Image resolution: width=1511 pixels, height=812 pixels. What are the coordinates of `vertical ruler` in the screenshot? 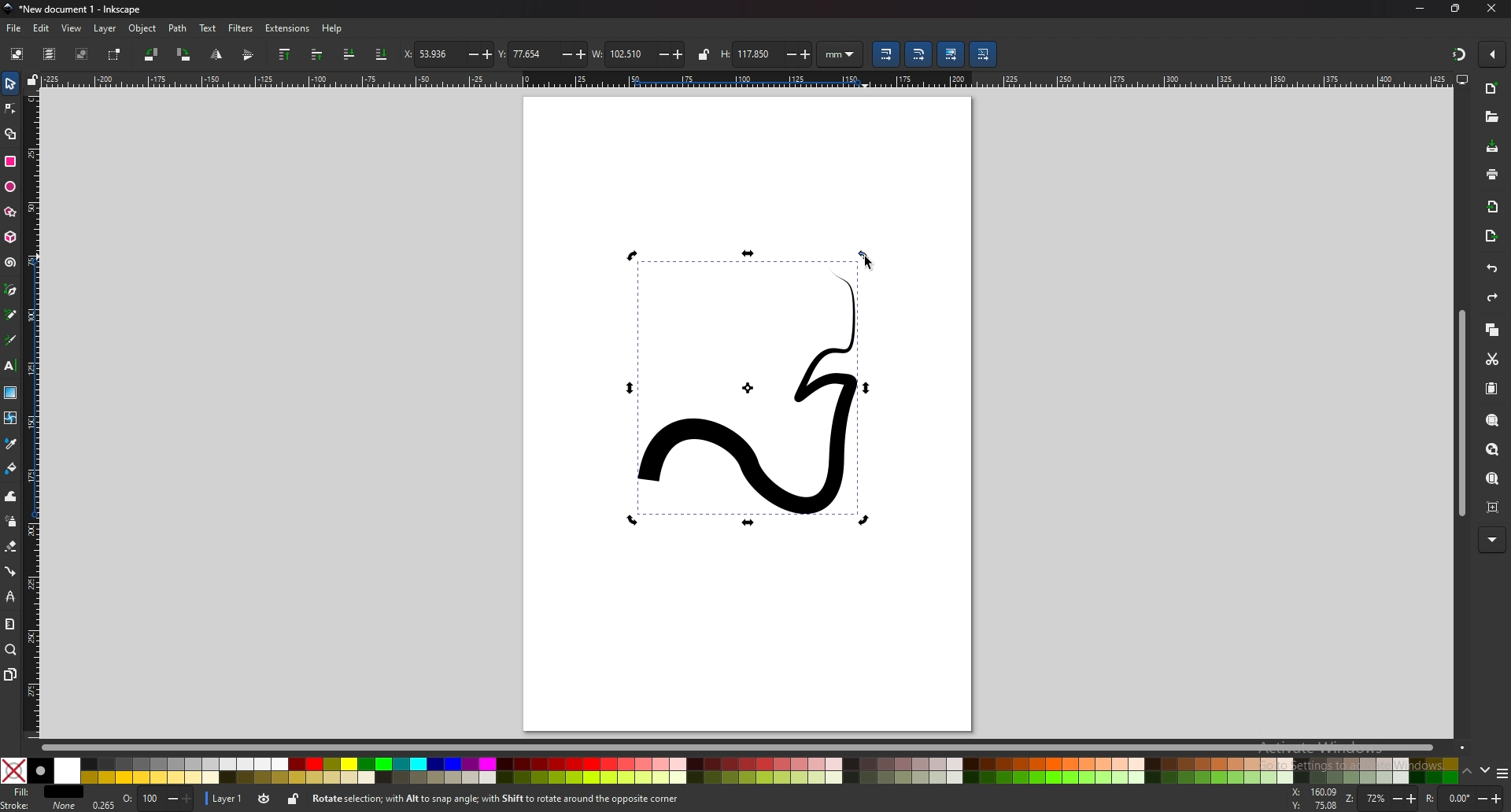 It's located at (34, 415).